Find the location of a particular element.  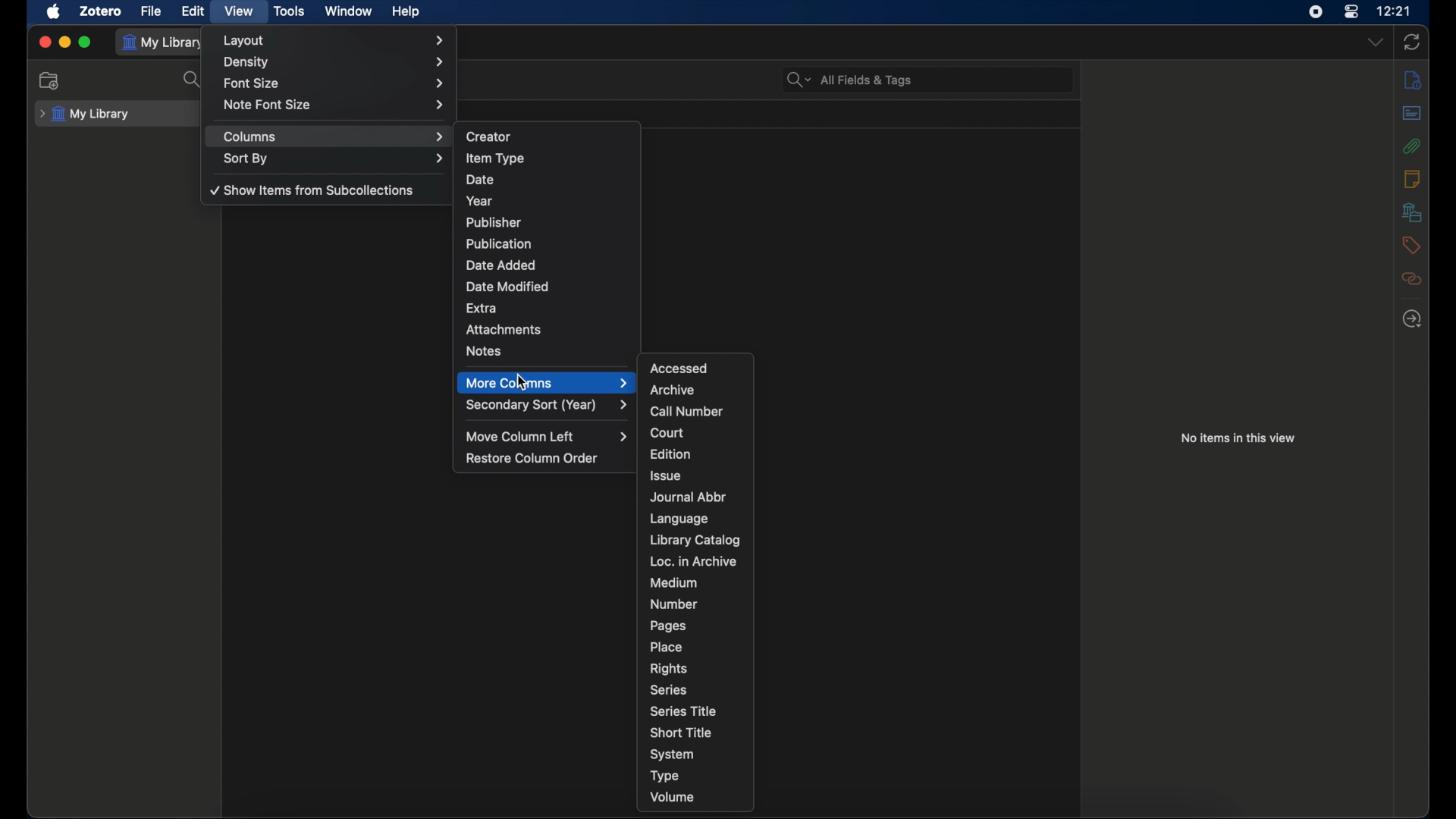

date modified is located at coordinates (508, 287).